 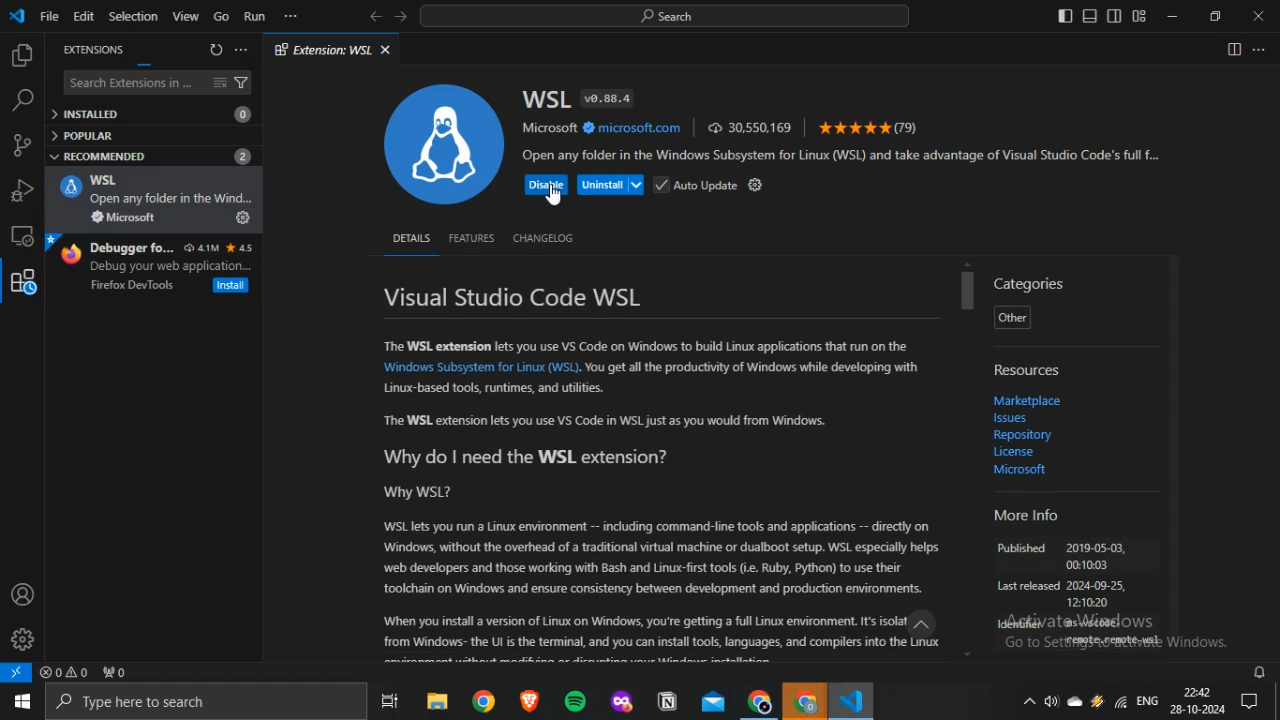 I want to click on Open any folder in the Windows Subsystem for Linux (WSL) and take advantage of Visual Studio Code's full f..., so click(x=845, y=156).